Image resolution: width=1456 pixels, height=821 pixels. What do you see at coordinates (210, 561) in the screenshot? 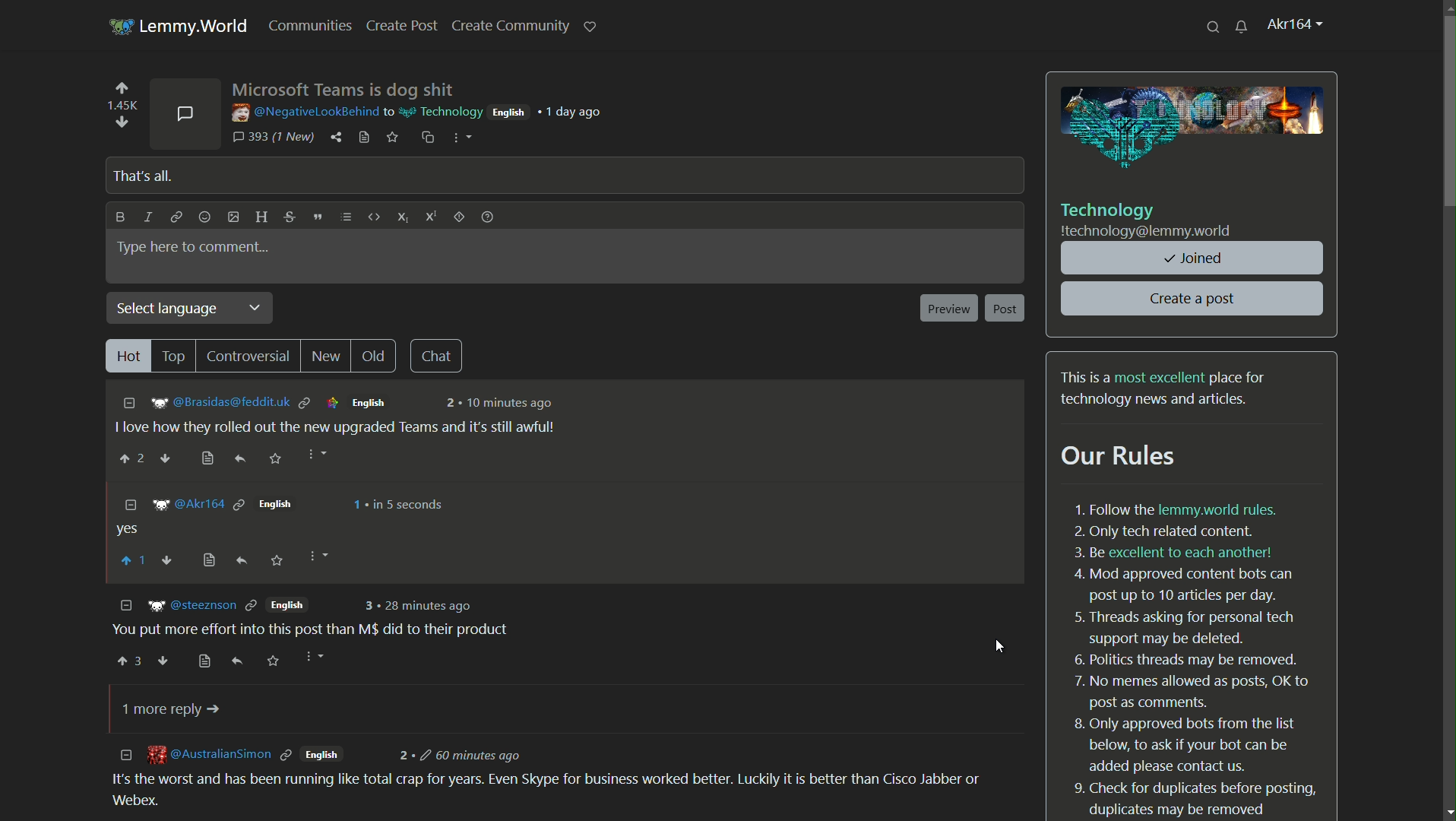
I see `view source` at bounding box center [210, 561].